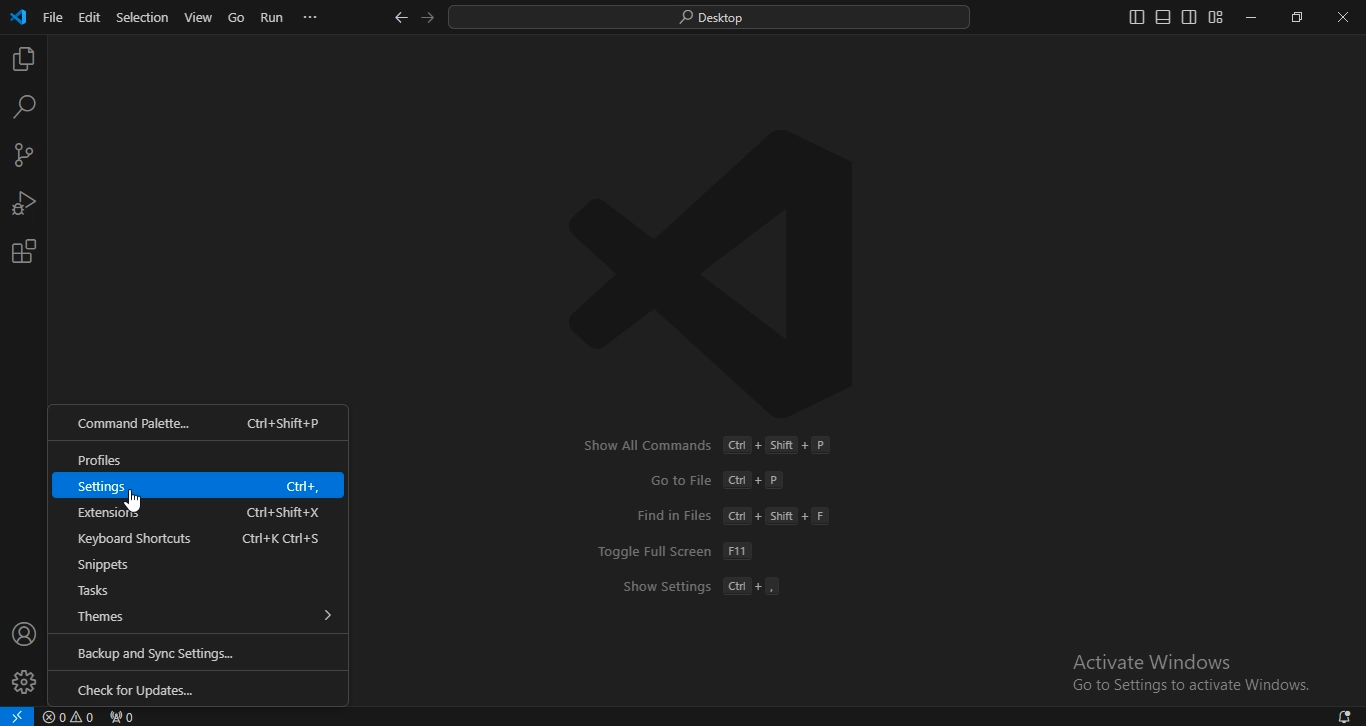 The height and width of the screenshot is (726, 1366). I want to click on close, so click(1342, 17).